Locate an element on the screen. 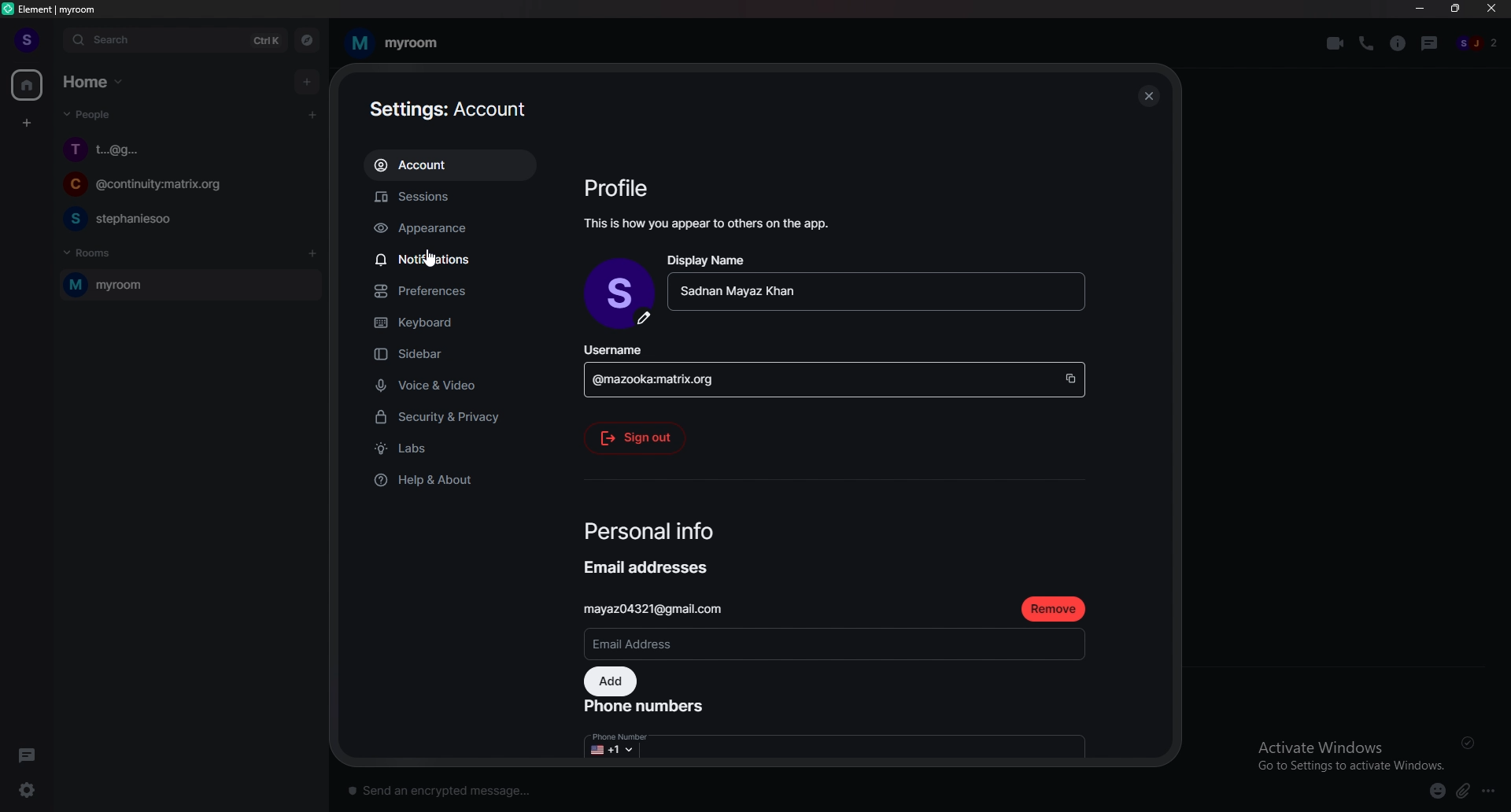 The image size is (1511, 812). minimize is located at coordinates (1421, 9).